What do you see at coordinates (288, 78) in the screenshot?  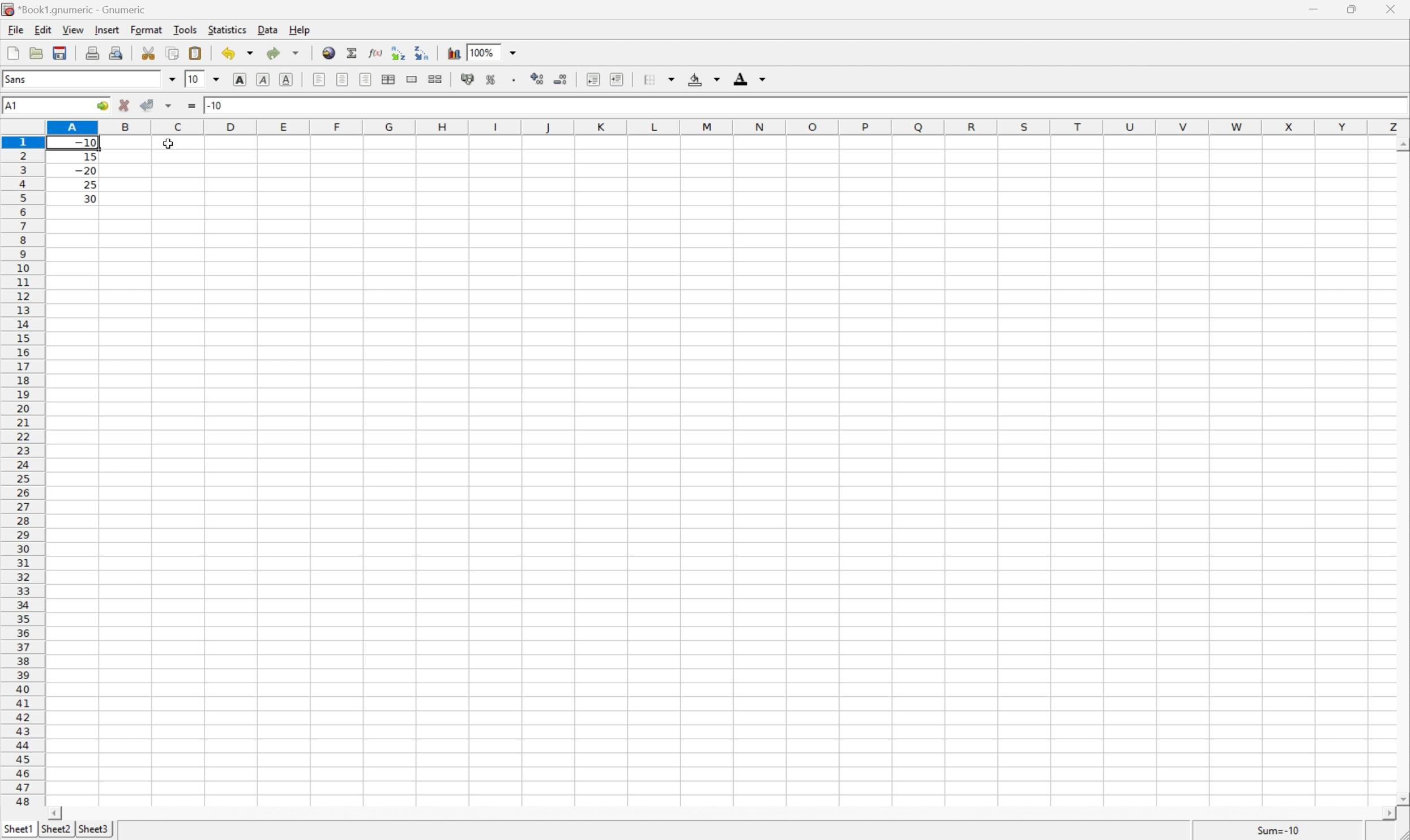 I see `Underline` at bounding box center [288, 78].